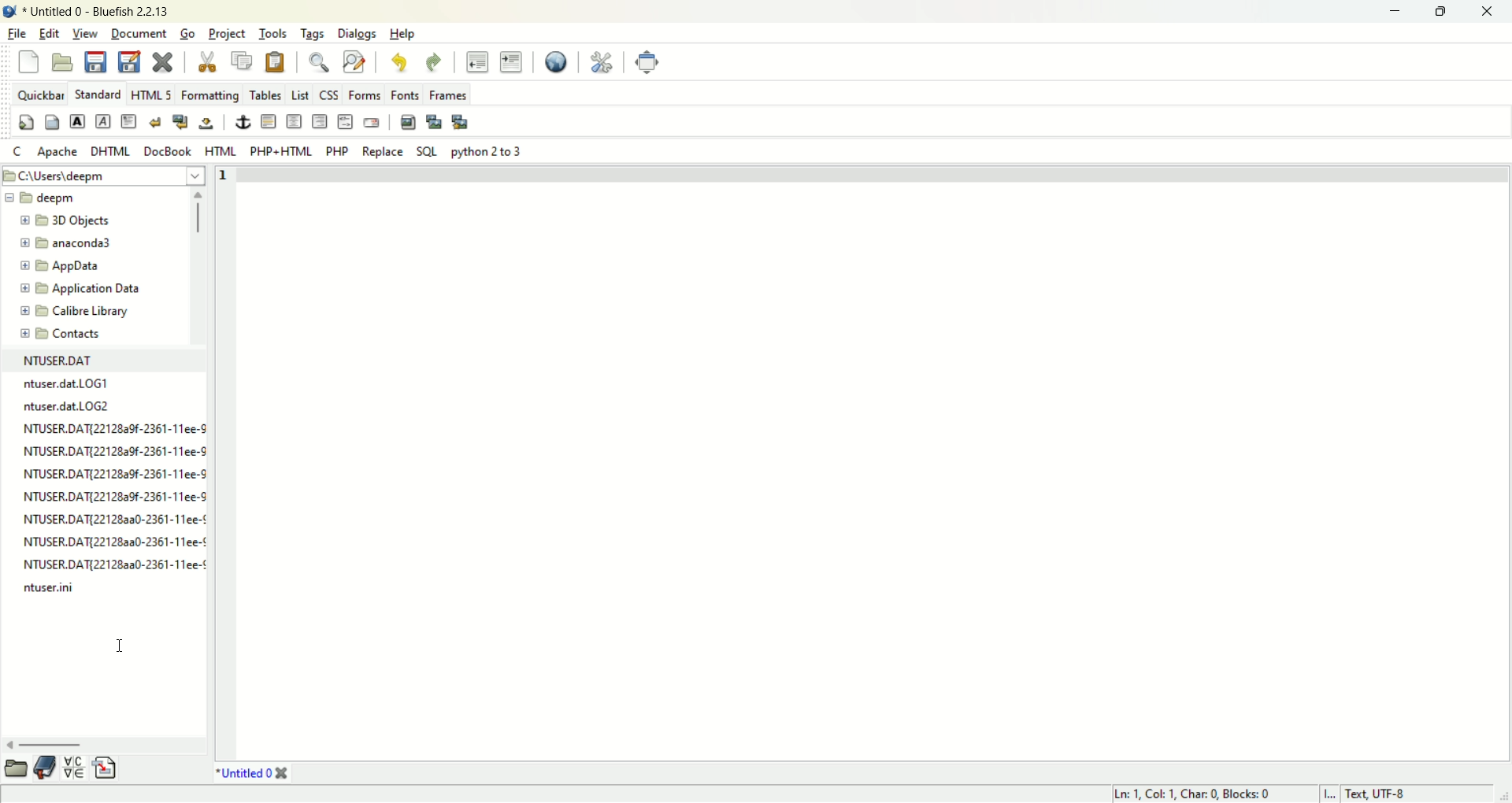 This screenshot has width=1512, height=803. I want to click on close, so click(1489, 10).